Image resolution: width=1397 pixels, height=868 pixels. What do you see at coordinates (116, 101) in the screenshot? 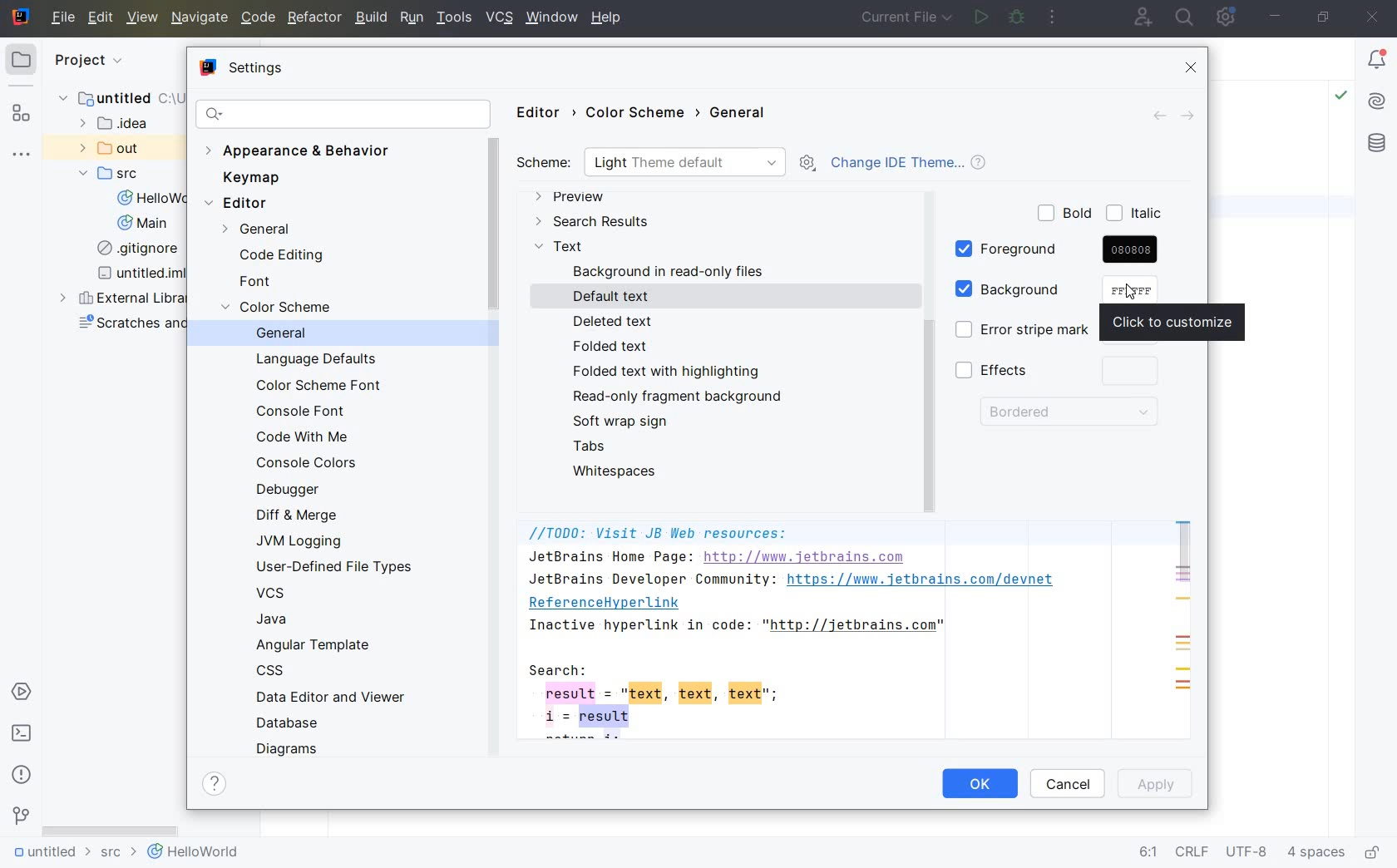
I see `untitled` at bounding box center [116, 101].